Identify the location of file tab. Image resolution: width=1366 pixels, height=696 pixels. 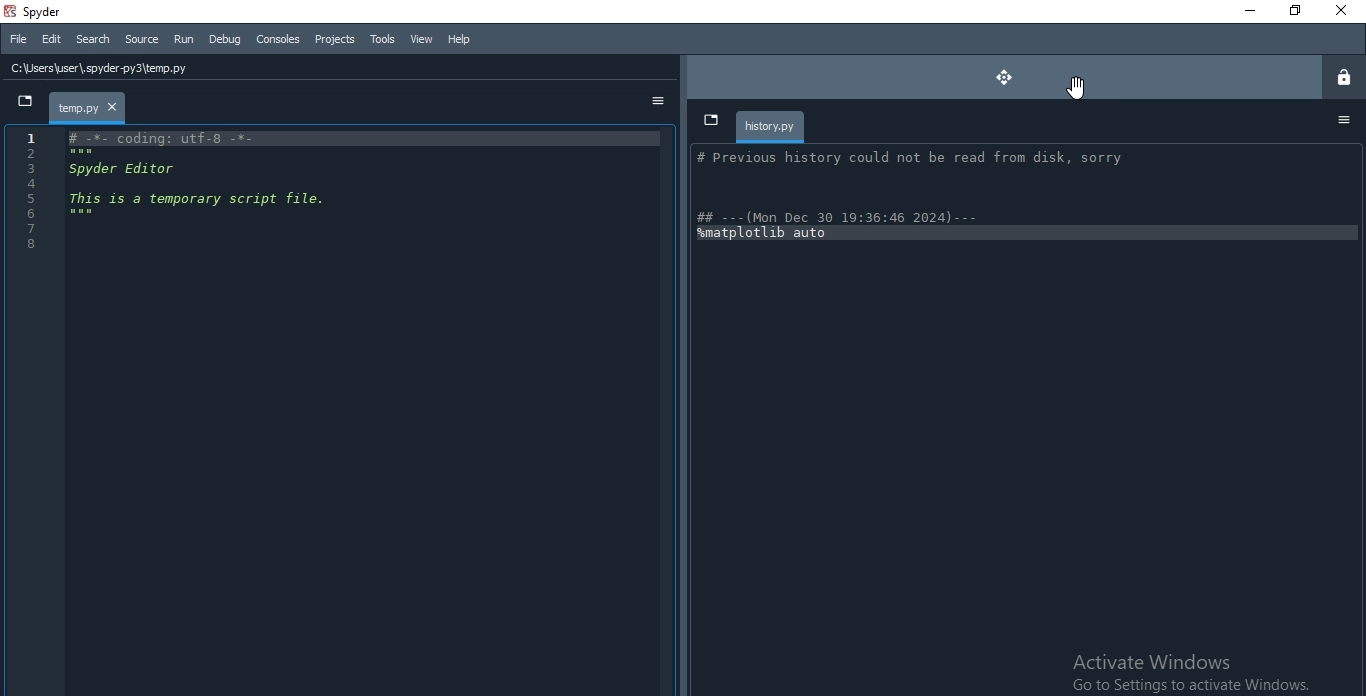
(86, 106).